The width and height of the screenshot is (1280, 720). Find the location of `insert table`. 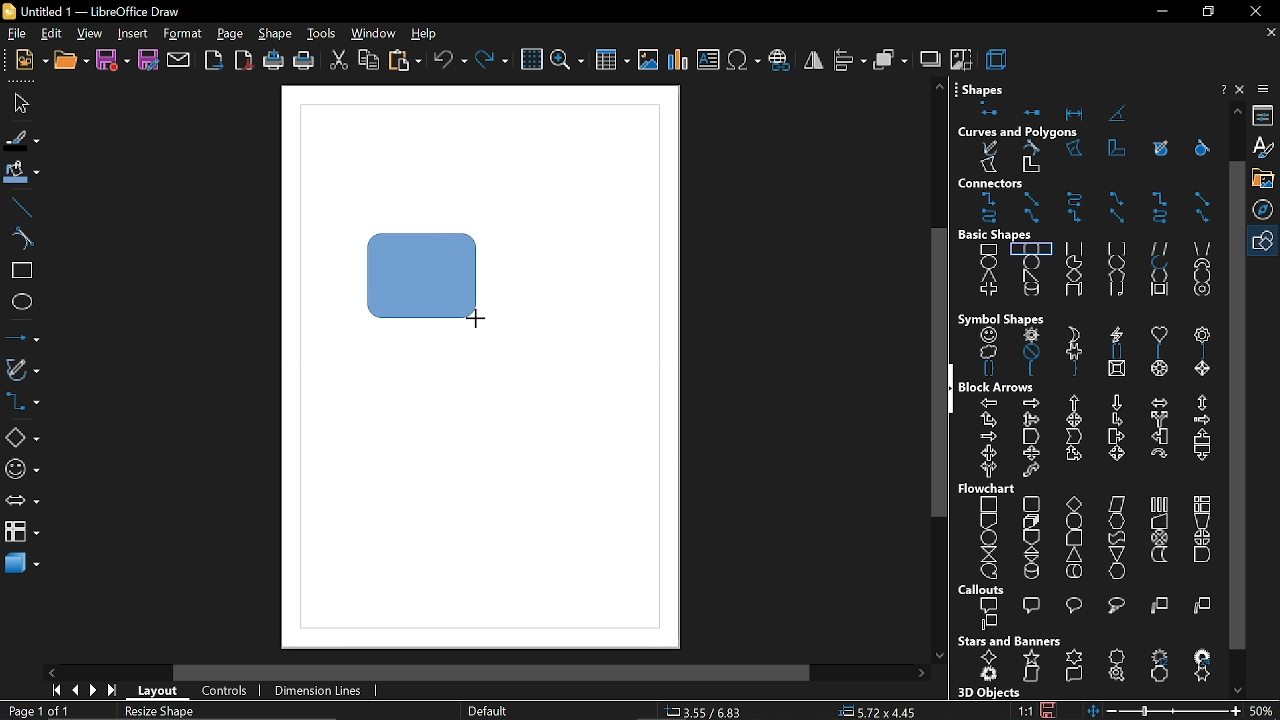

insert table is located at coordinates (613, 63).